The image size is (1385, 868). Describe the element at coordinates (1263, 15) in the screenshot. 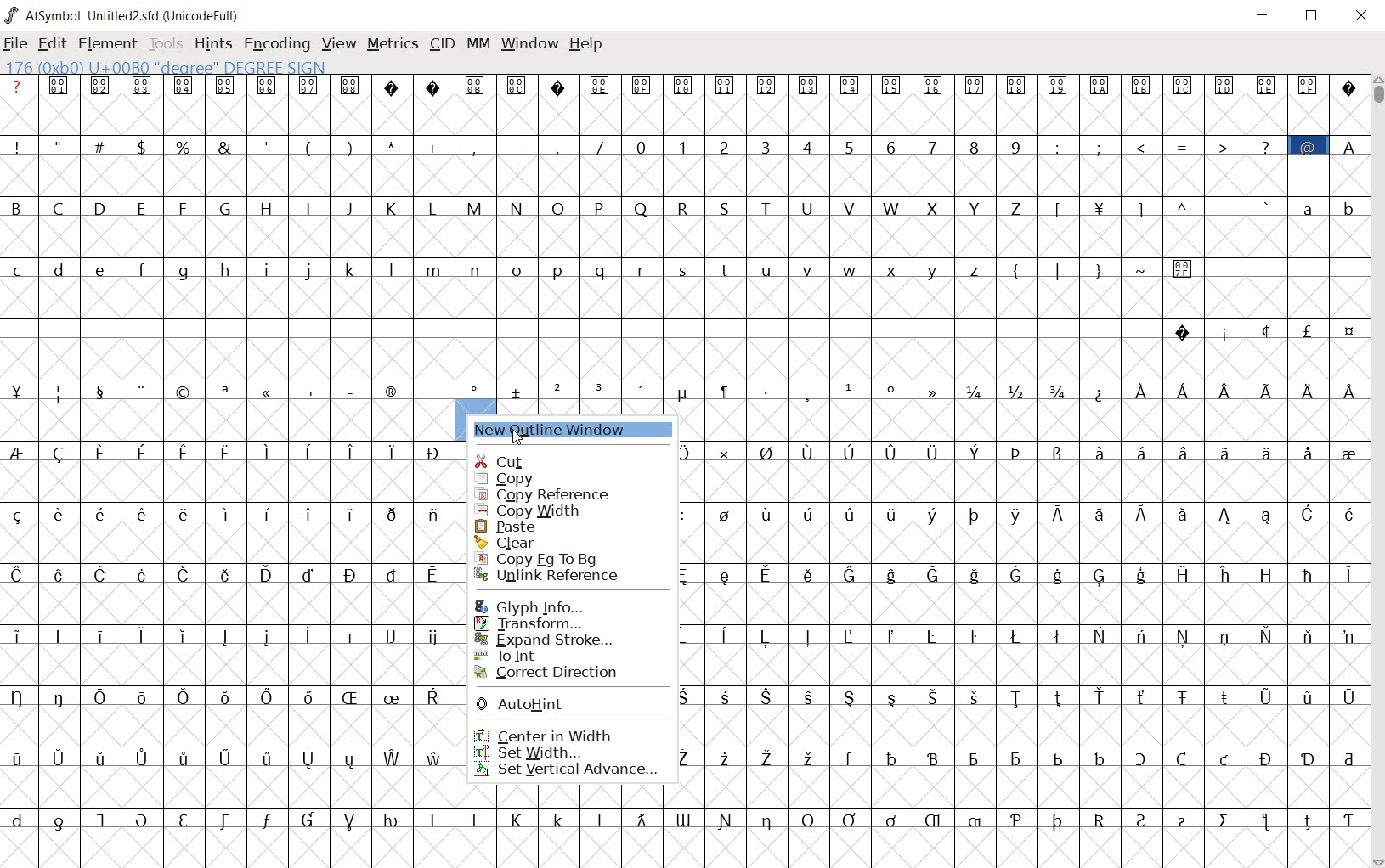

I see `minimize` at that location.